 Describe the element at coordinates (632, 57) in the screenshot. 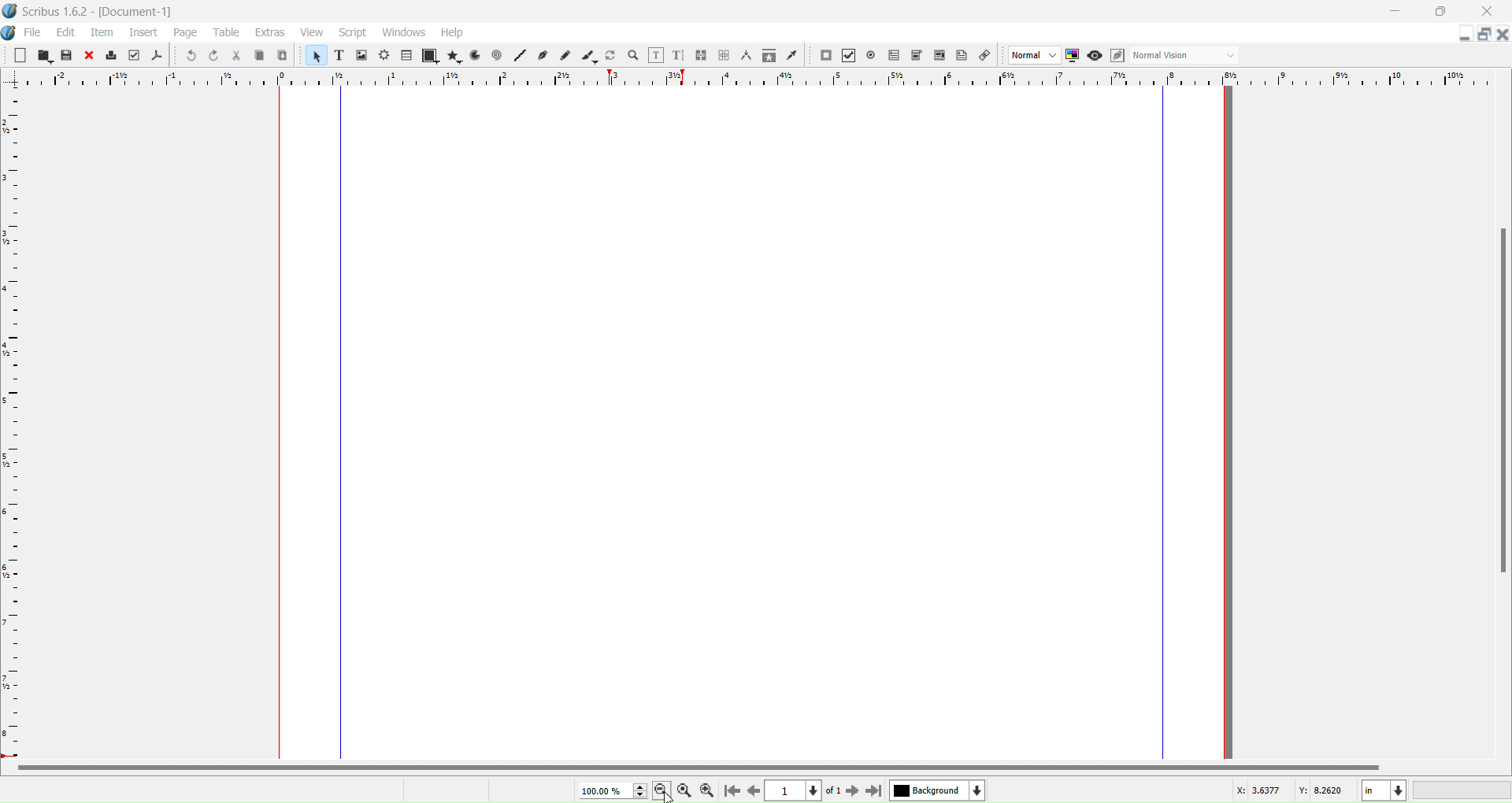

I see `Zoom and Pane` at that location.